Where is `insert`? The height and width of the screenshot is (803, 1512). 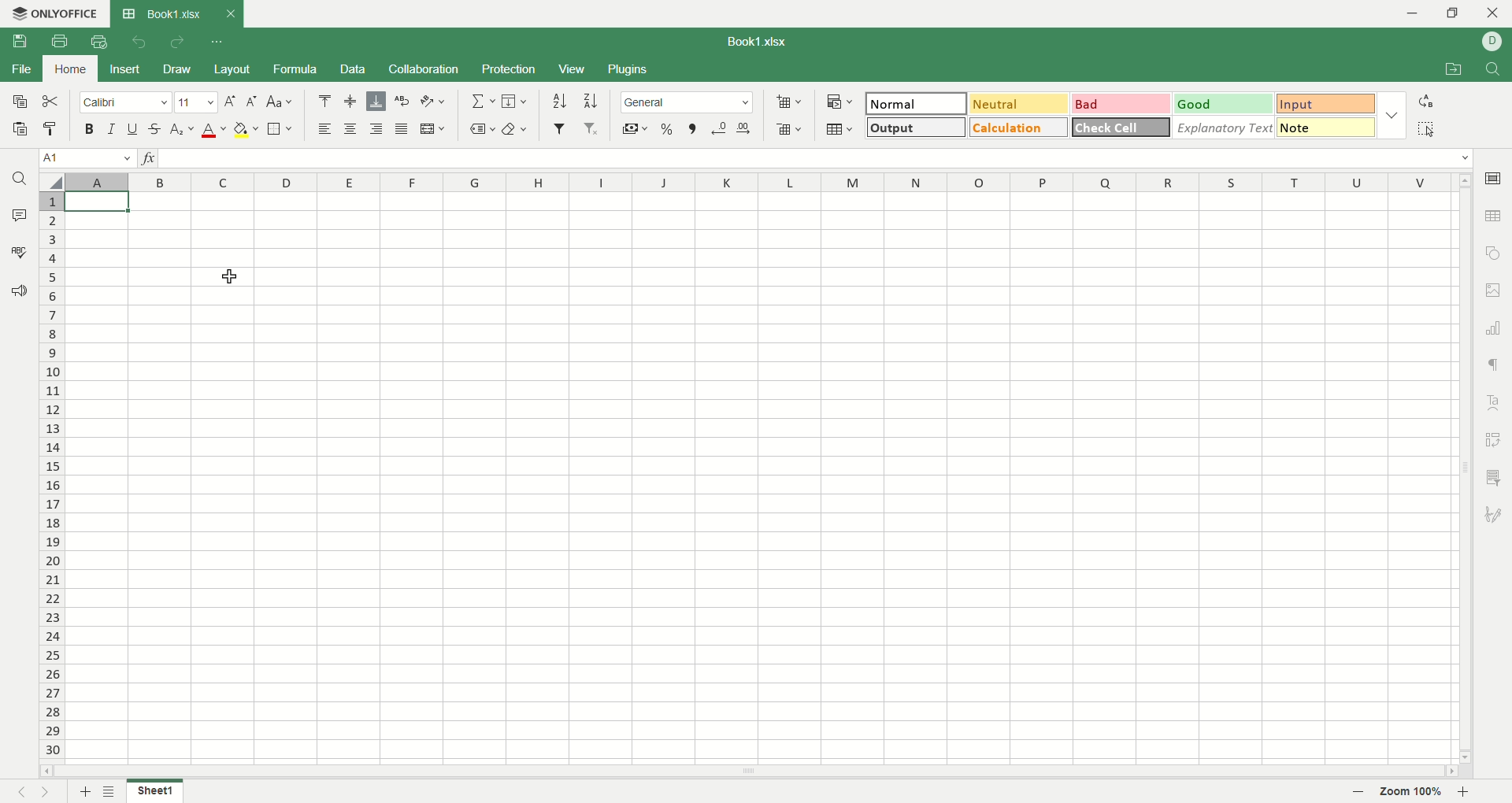
insert is located at coordinates (126, 68).